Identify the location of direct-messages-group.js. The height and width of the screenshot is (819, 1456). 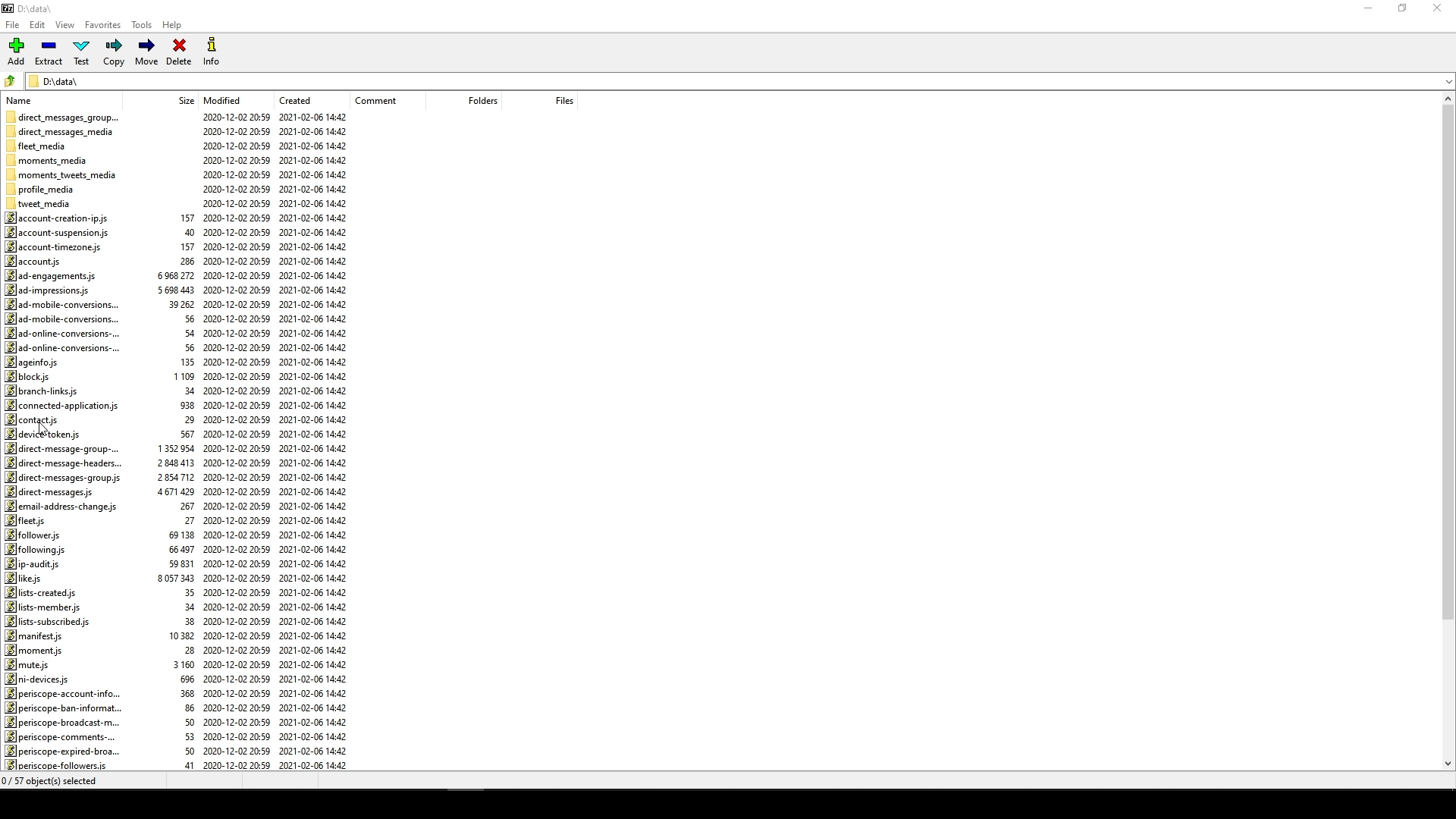
(64, 479).